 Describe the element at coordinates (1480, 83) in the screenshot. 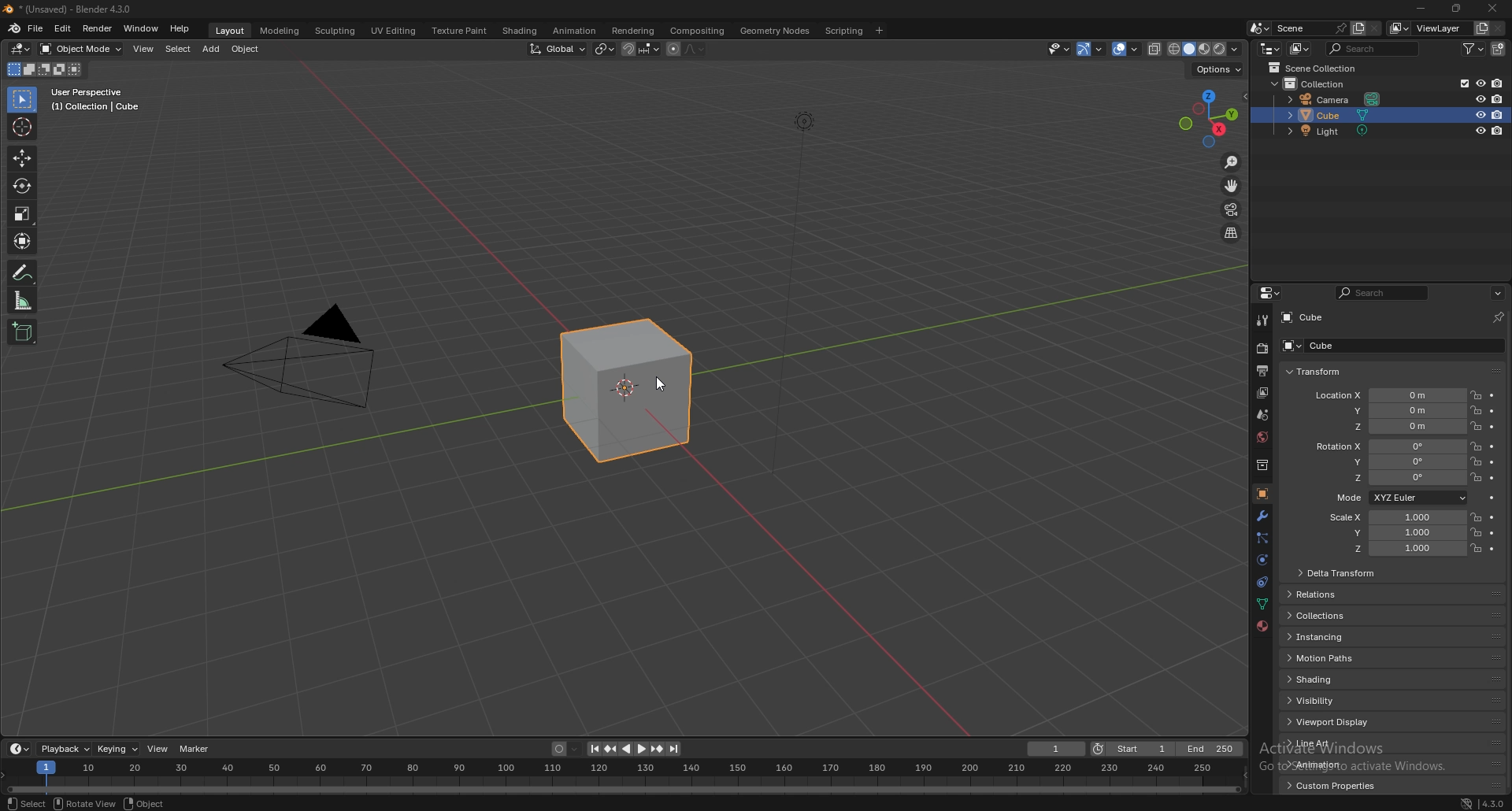

I see `hide in viewport` at that location.